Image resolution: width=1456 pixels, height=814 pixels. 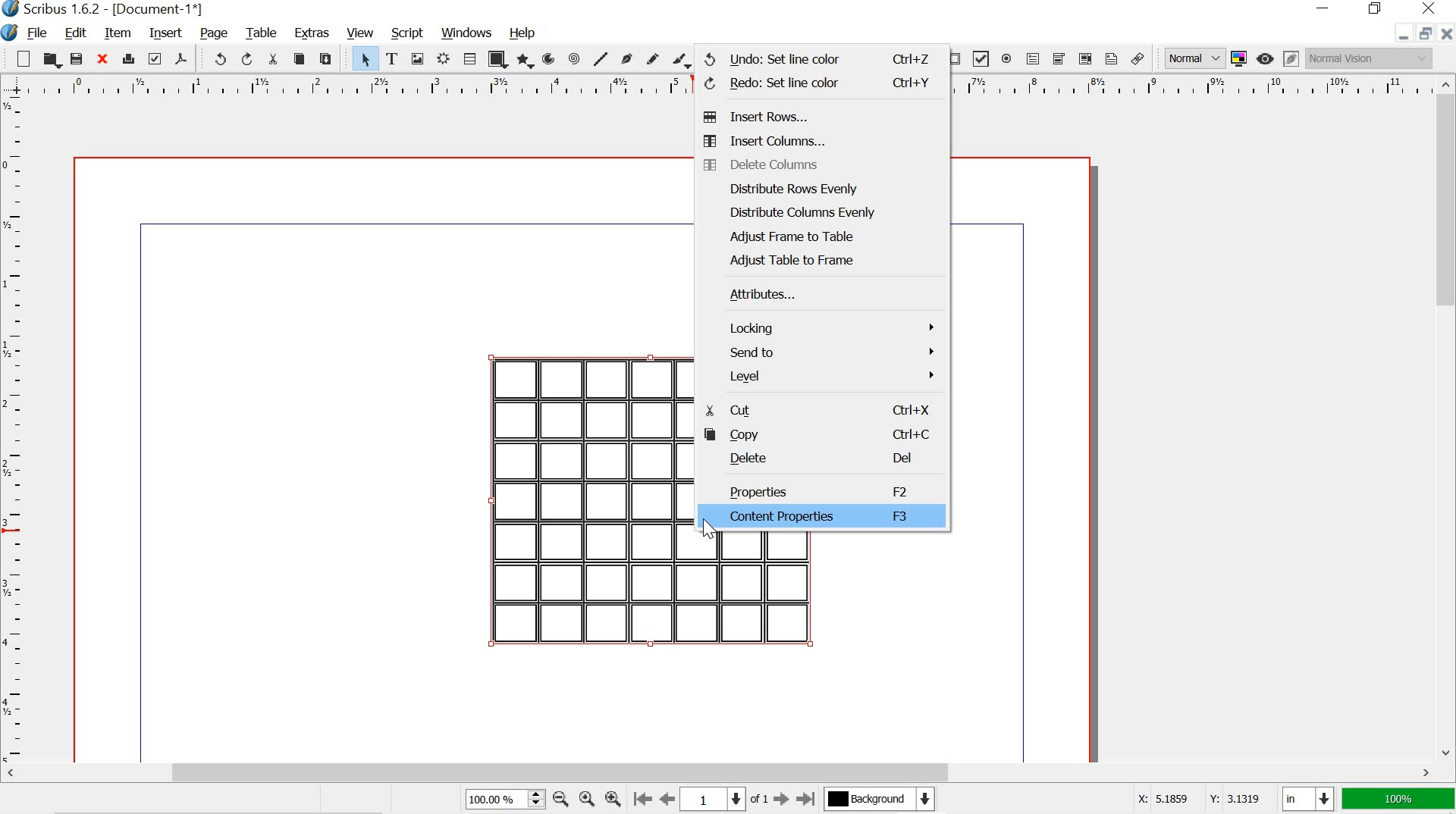 What do you see at coordinates (1447, 416) in the screenshot?
I see `scrollbar` at bounding box center [1447, 416].